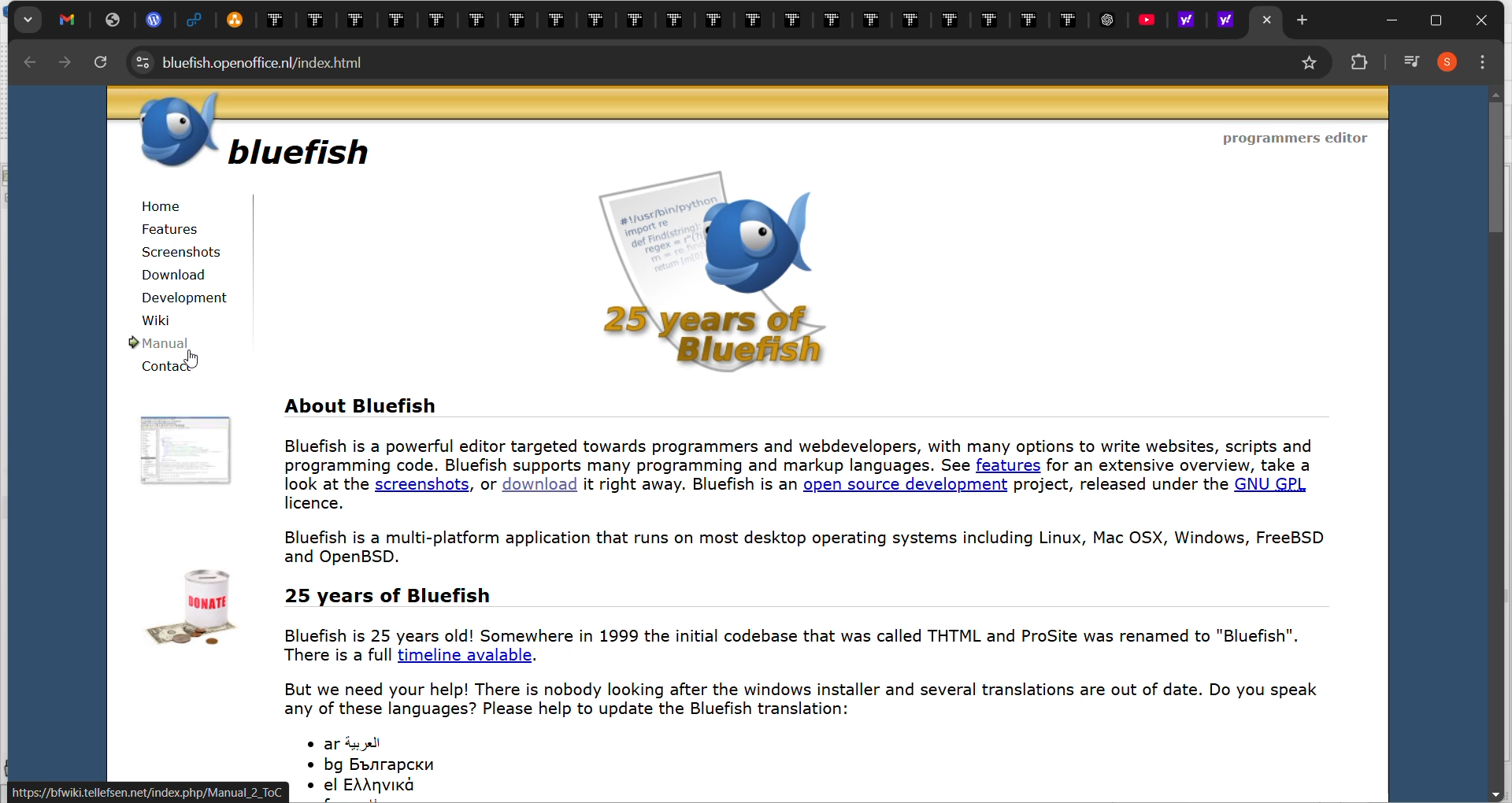  Describe the element at coordinates (174, 133) in the screenshot. I see `logo` at that location.